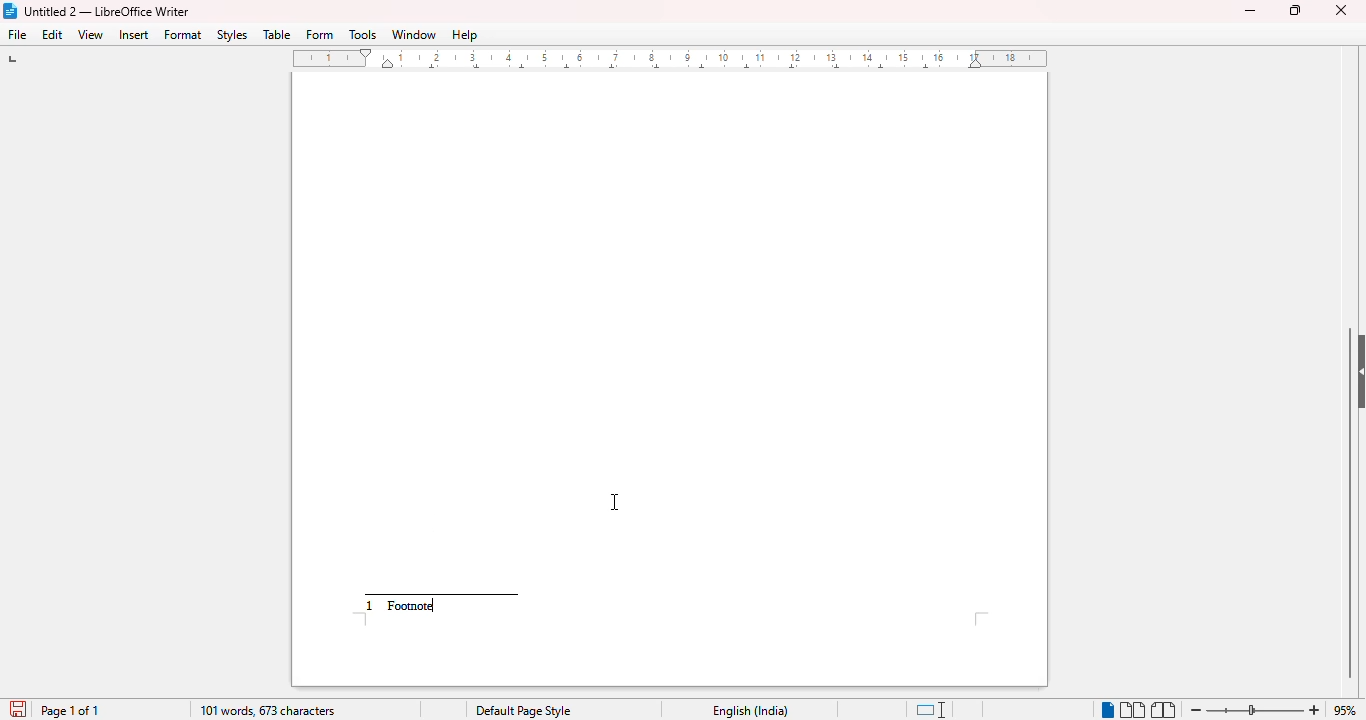 The width and height of the screenshot is (1366, 720). What do you see at coordinates (1257, 707) in the screenshot?
I see `Change zoom level` at bounding box center [1257, 707].